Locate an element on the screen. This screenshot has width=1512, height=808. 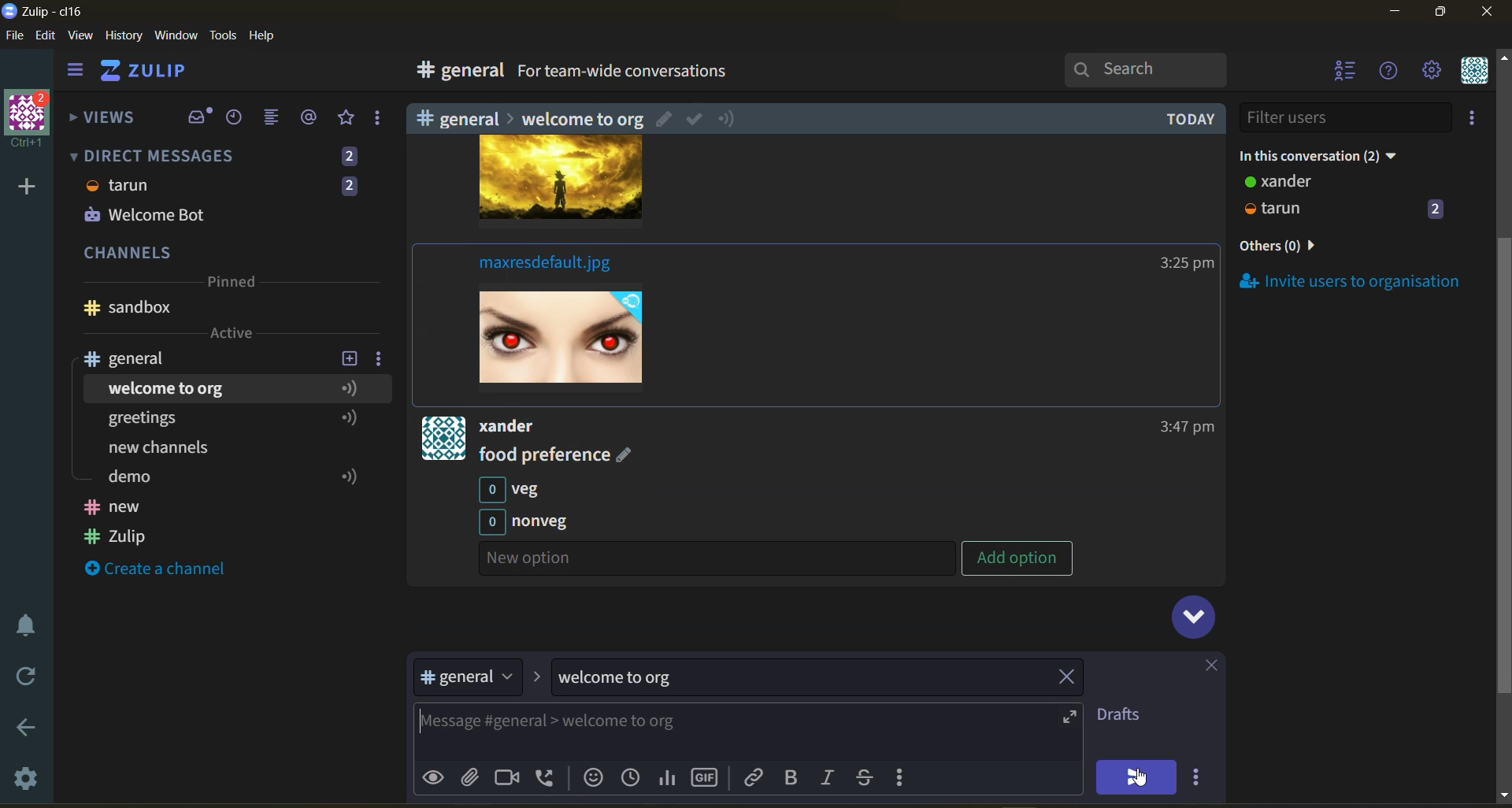
add voice call is located at coordinates (547, 776).